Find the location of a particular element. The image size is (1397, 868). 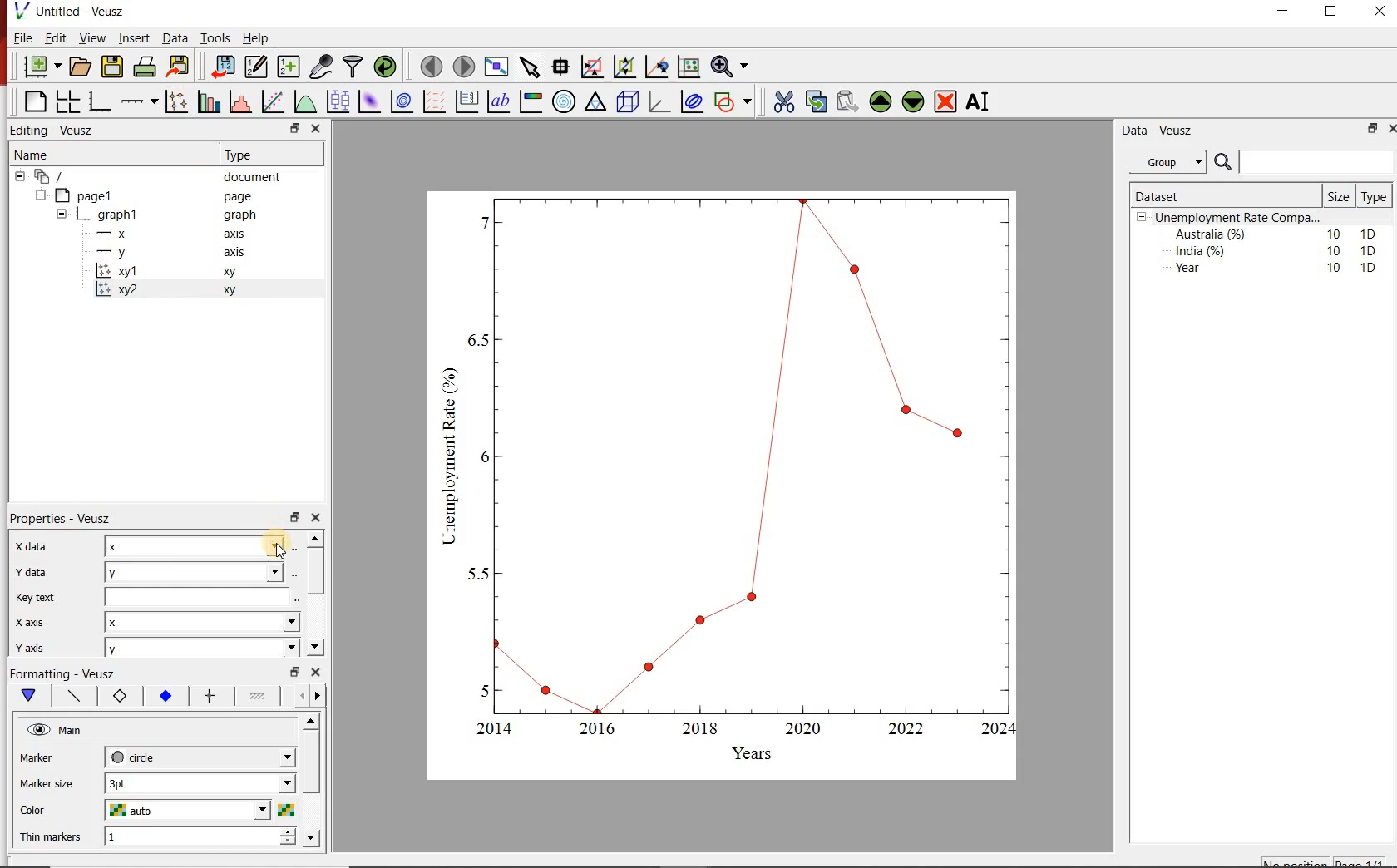

collapse is located at coordinates (19, 176).